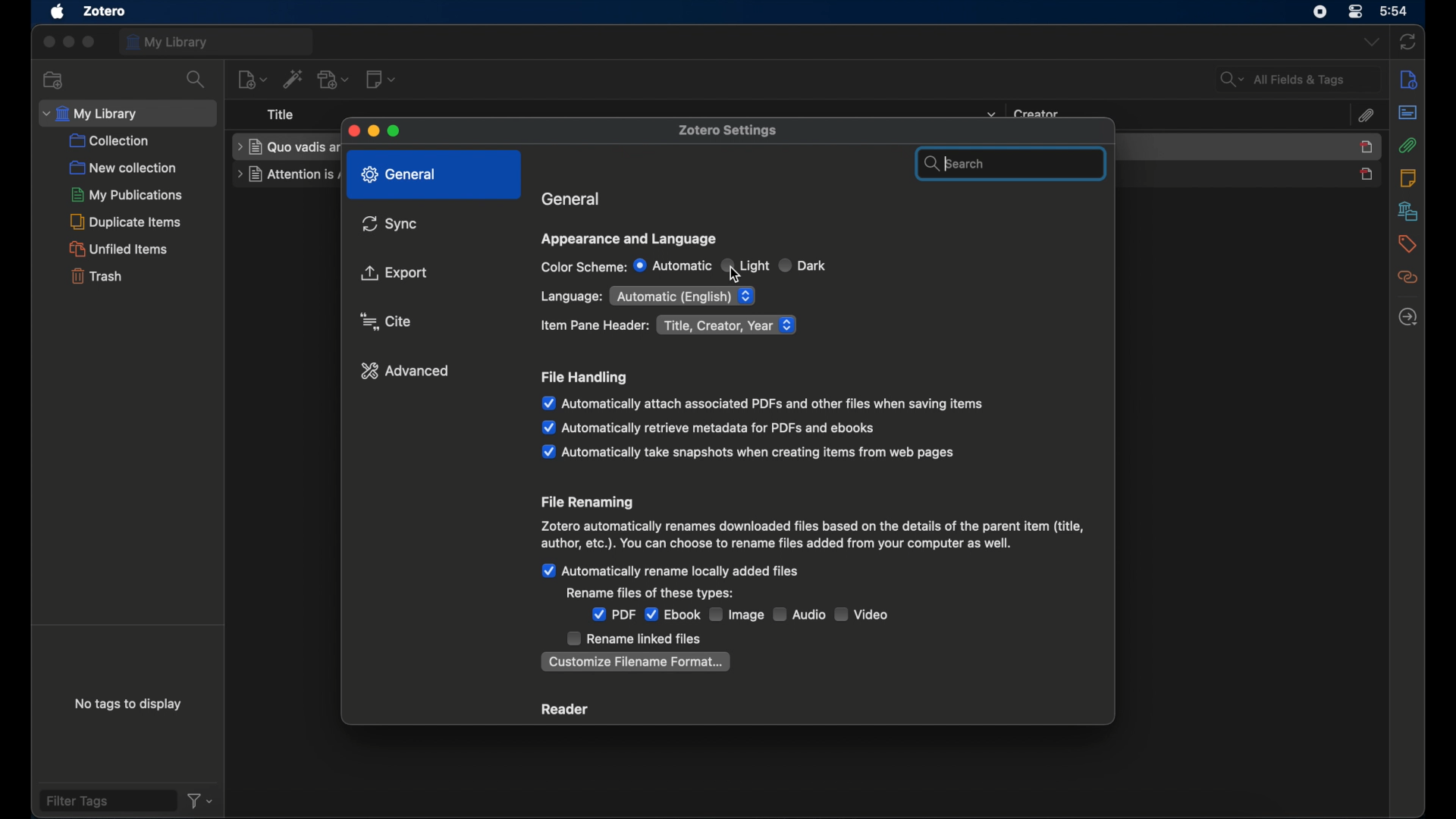 The height and width of the screenshot is (819, 1456). What do you see at coordinates (283, 115) in the screenshot?
I see `title` at bounding box center [283, 115].